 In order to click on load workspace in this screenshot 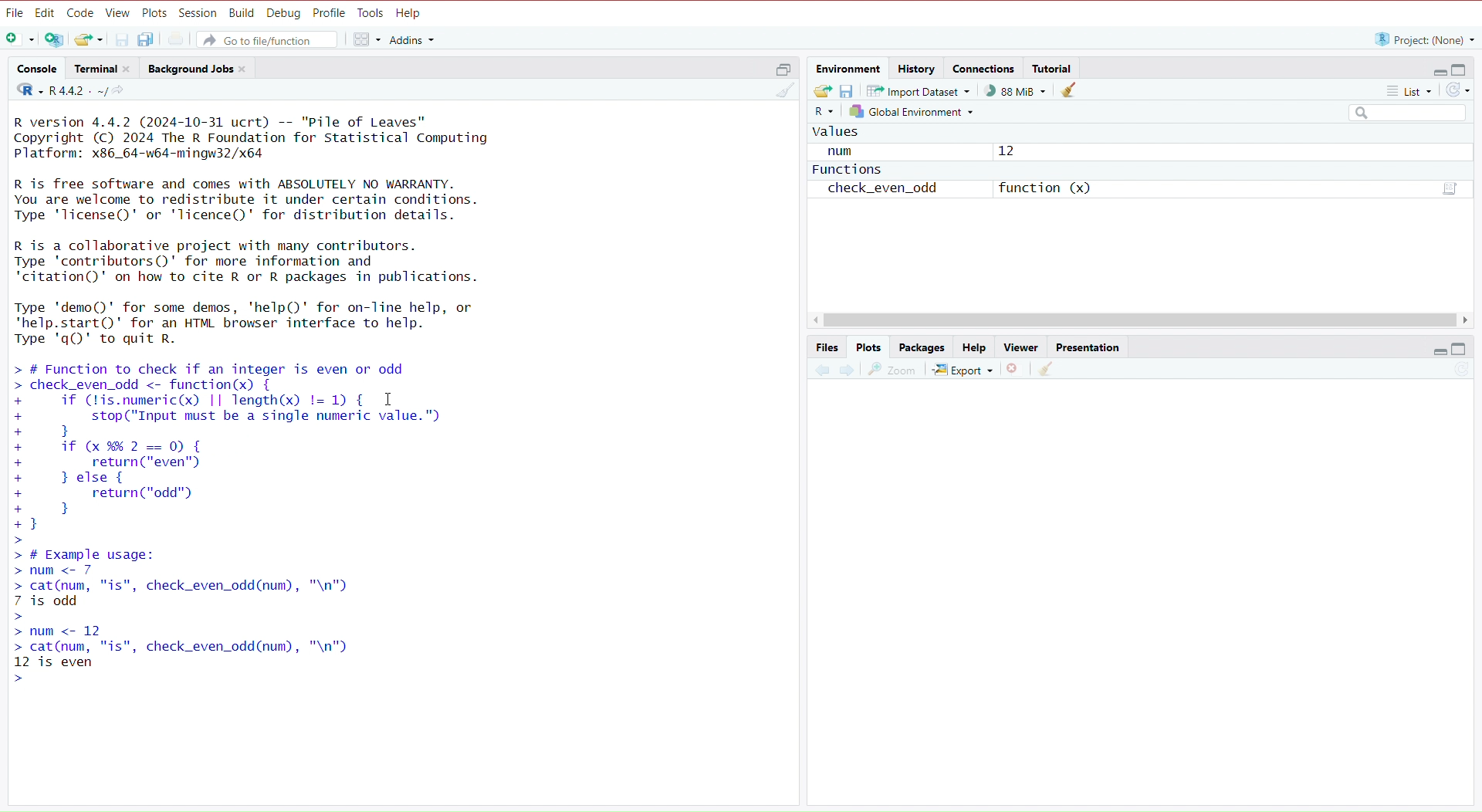, I will do `click(823, 91)`.